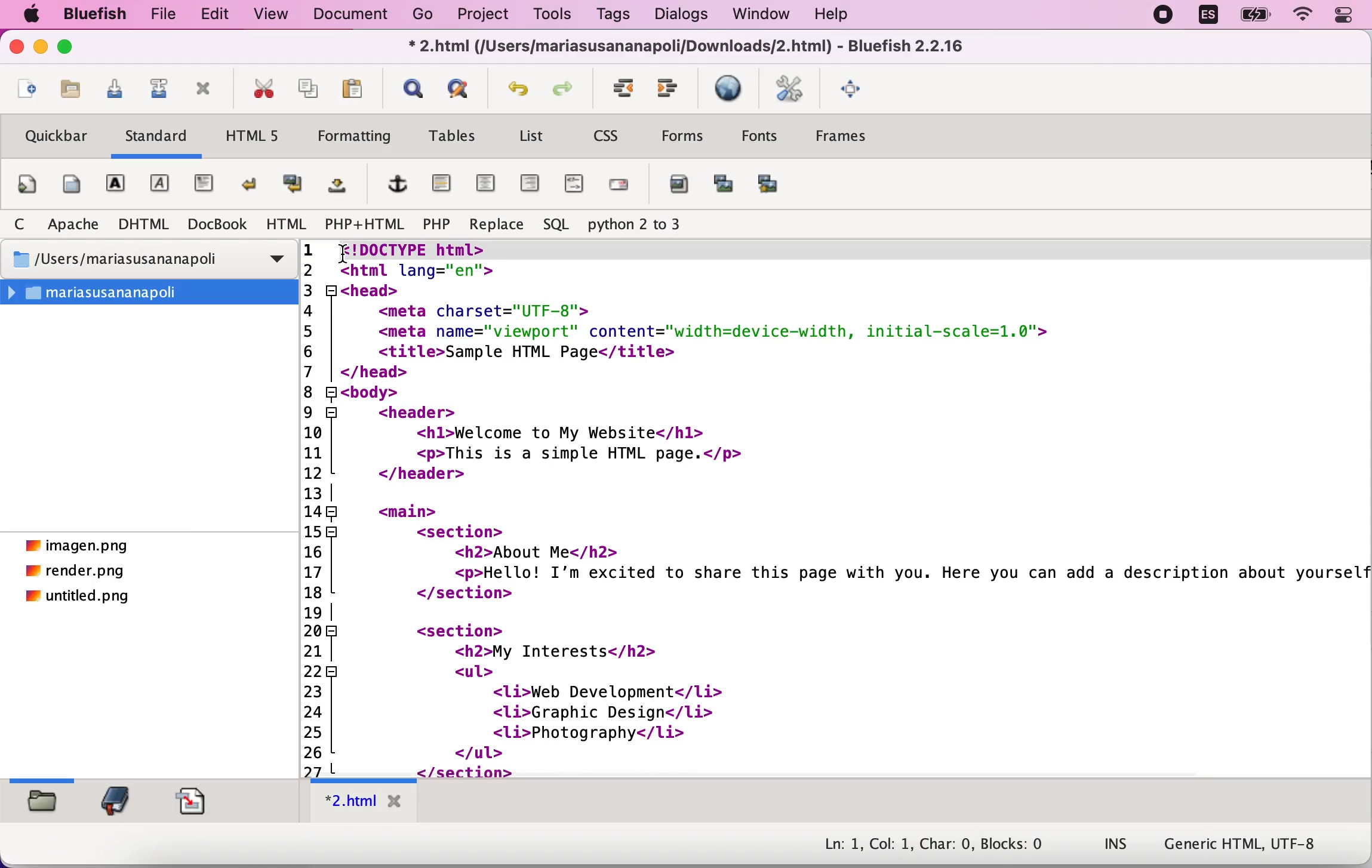 Image resolution: width=1372 pixels, height=868 pixels. What do you see at coordinates (530, 187) in the screenshot?
I see `right justify` at bounding box center [530, 187].